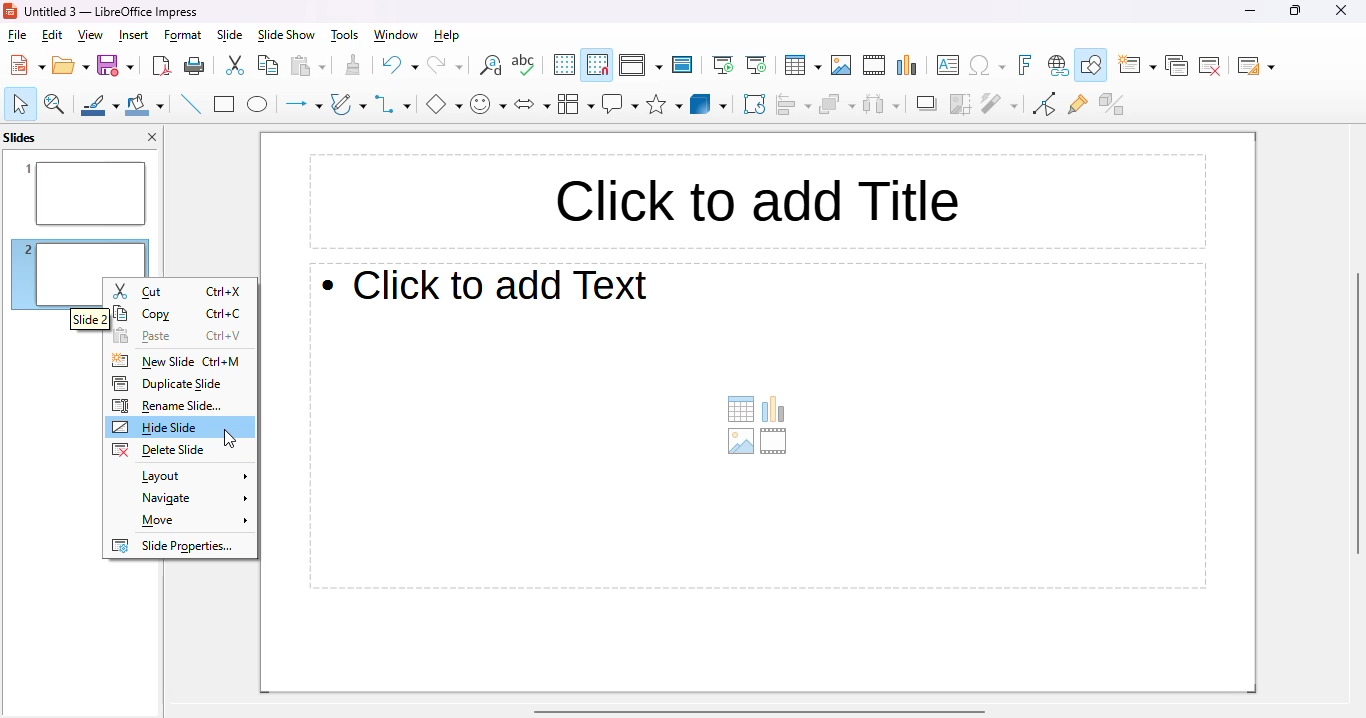 This screenshot has width=1366, height=718. Describe the element at coordinates (838, 104) in the screenshot. I see `arrange` at that location.